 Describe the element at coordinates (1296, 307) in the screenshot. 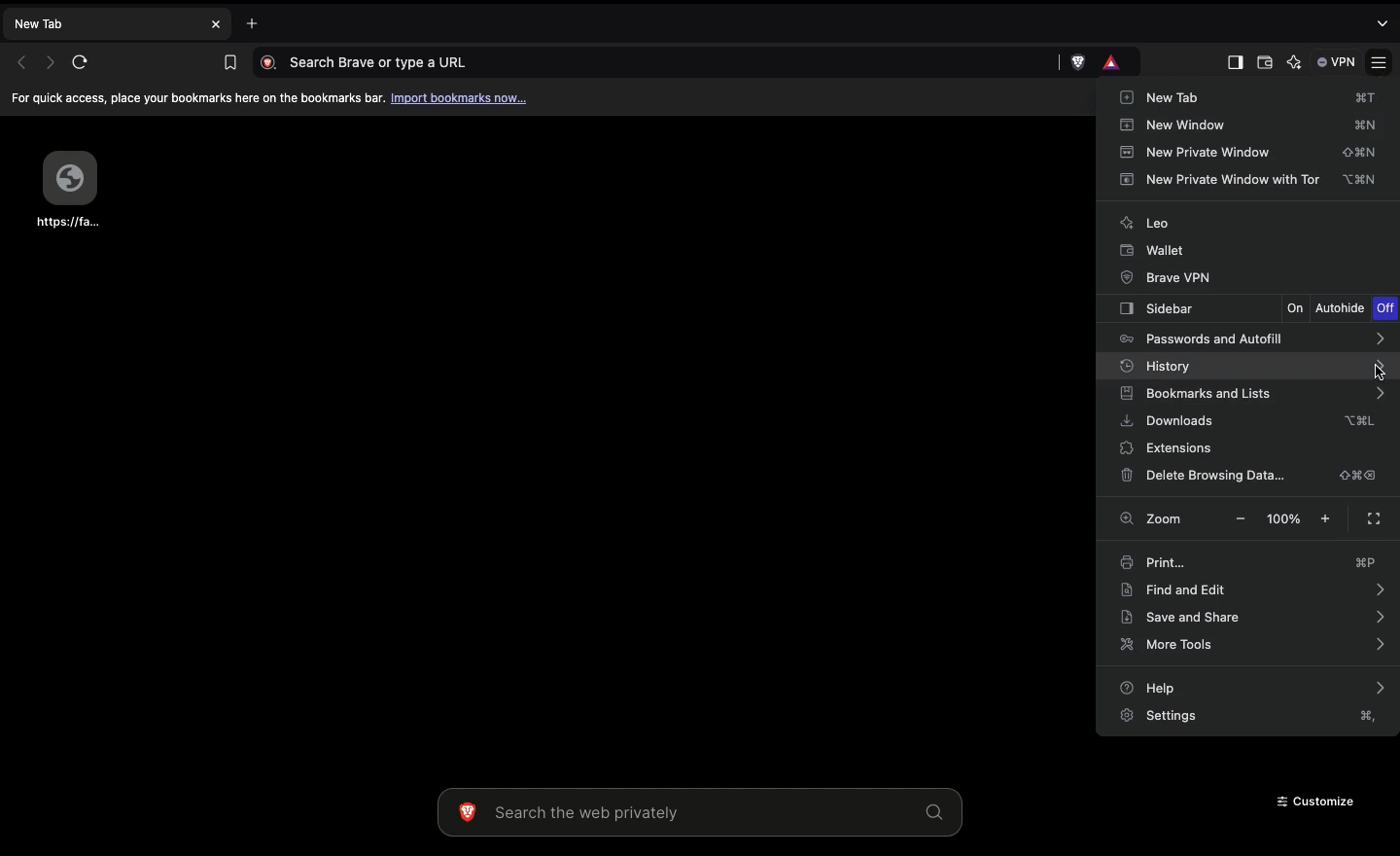

I see `On` at that location.